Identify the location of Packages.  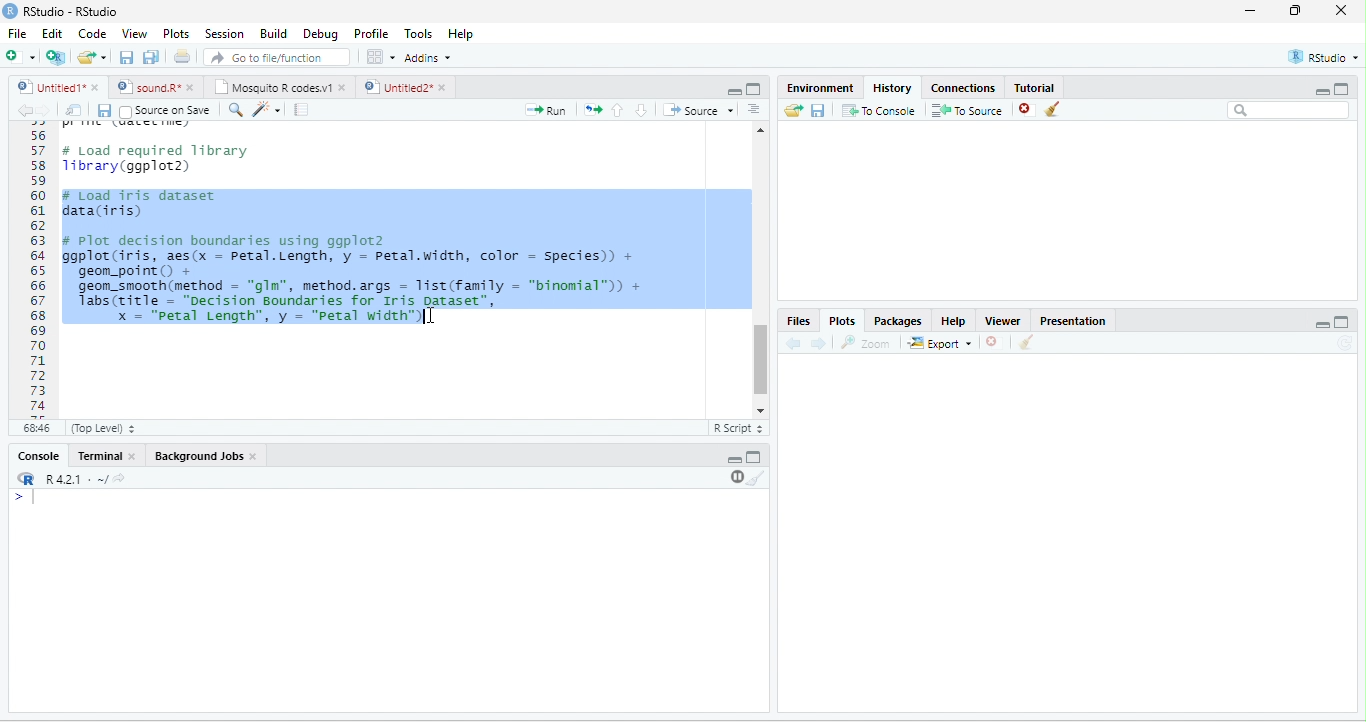
(898, 322).